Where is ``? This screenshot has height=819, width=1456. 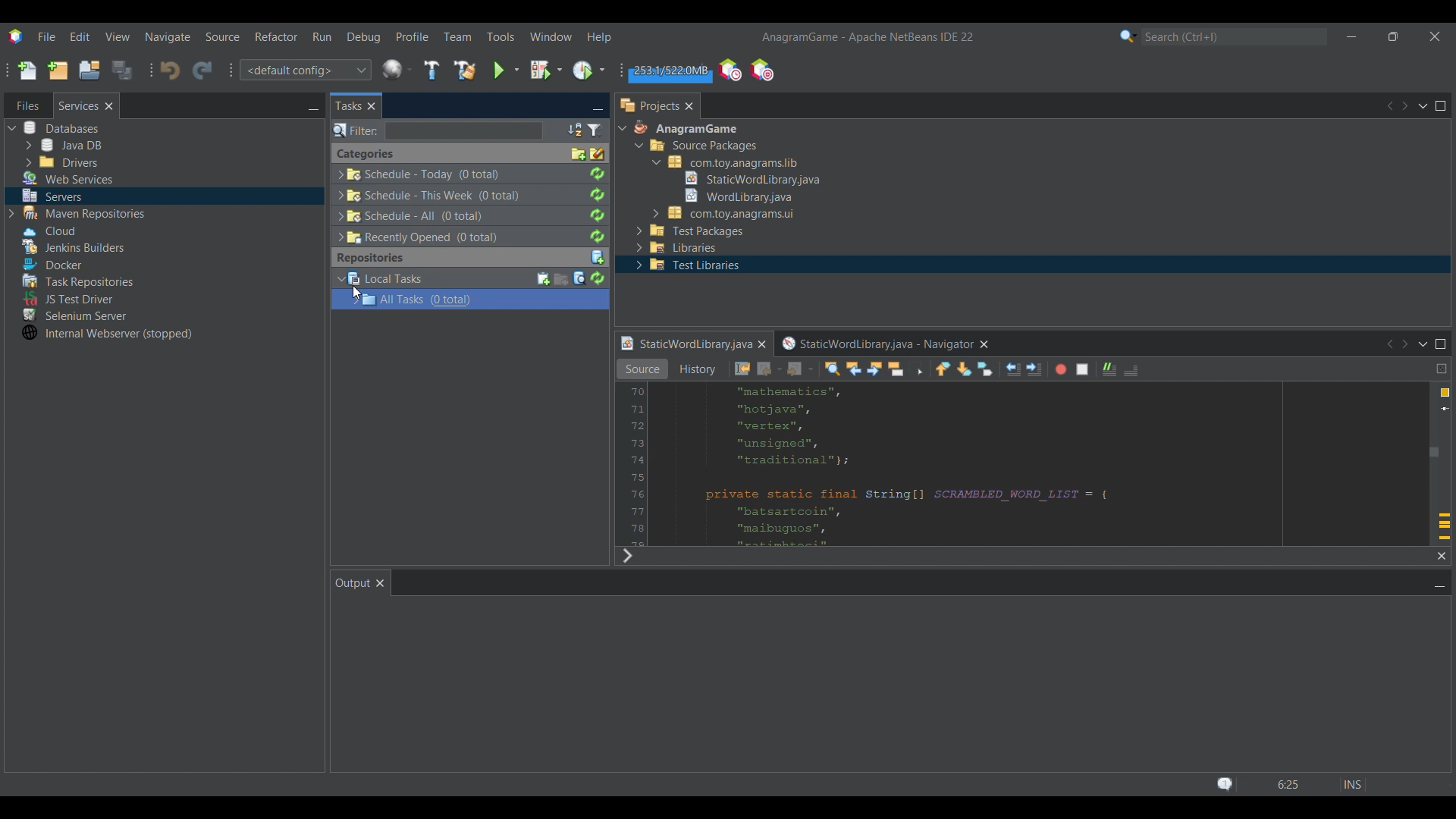
 is located at coordinates (83, 281).